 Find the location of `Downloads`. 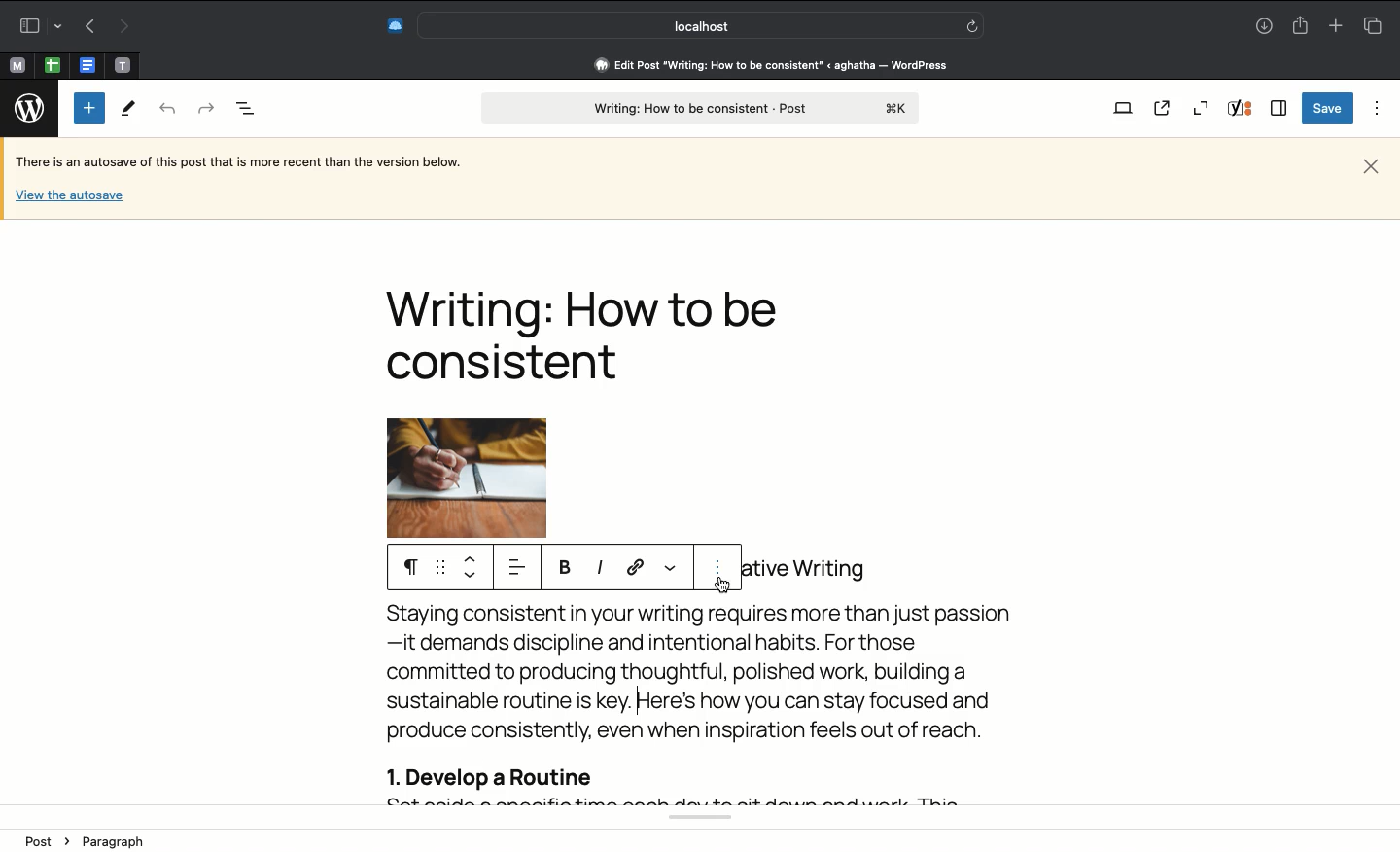

Downloads is located at coordinates (1264, 27).